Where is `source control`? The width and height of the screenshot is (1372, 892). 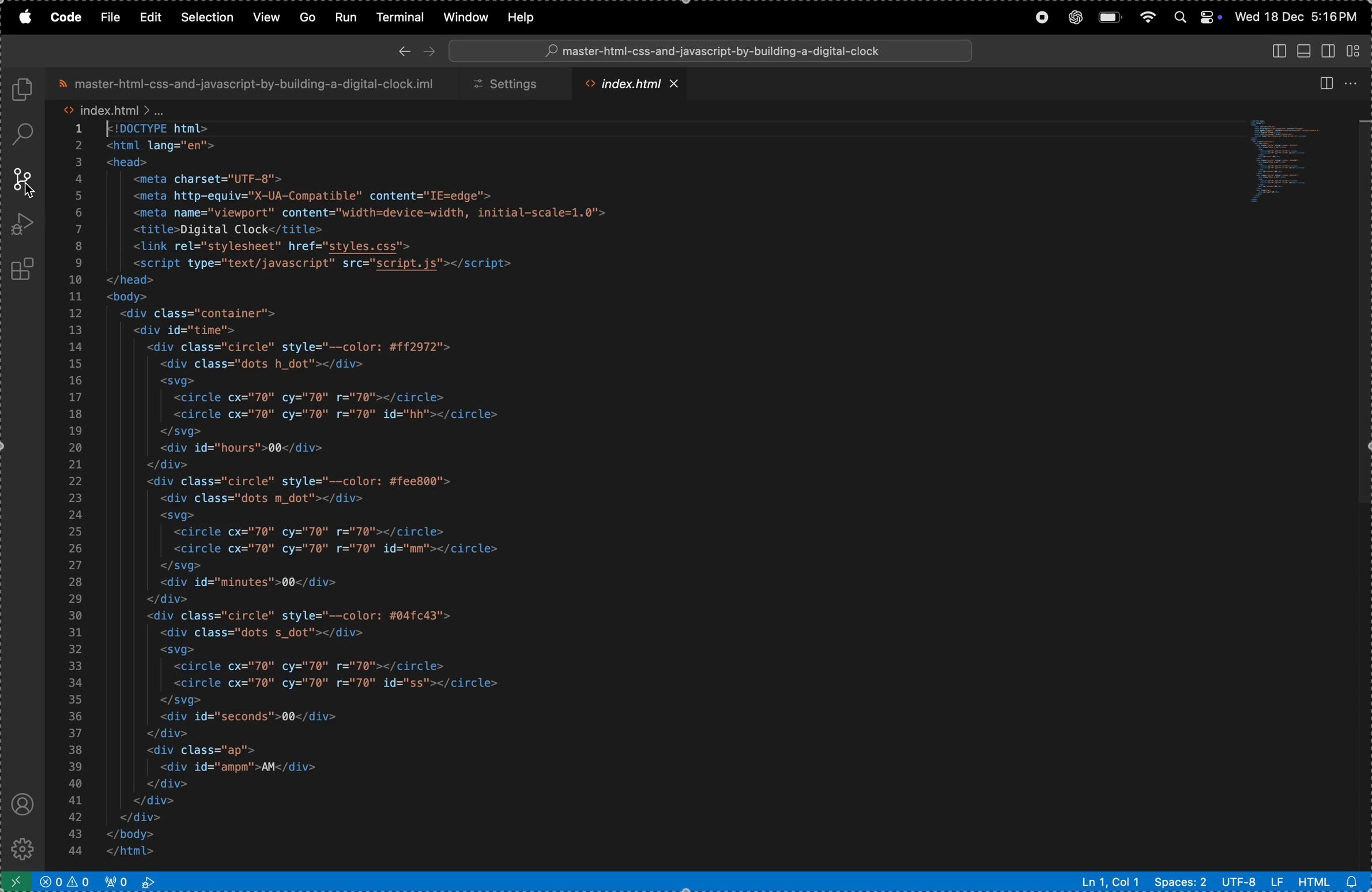 source control is located at coordinates (21, 181).